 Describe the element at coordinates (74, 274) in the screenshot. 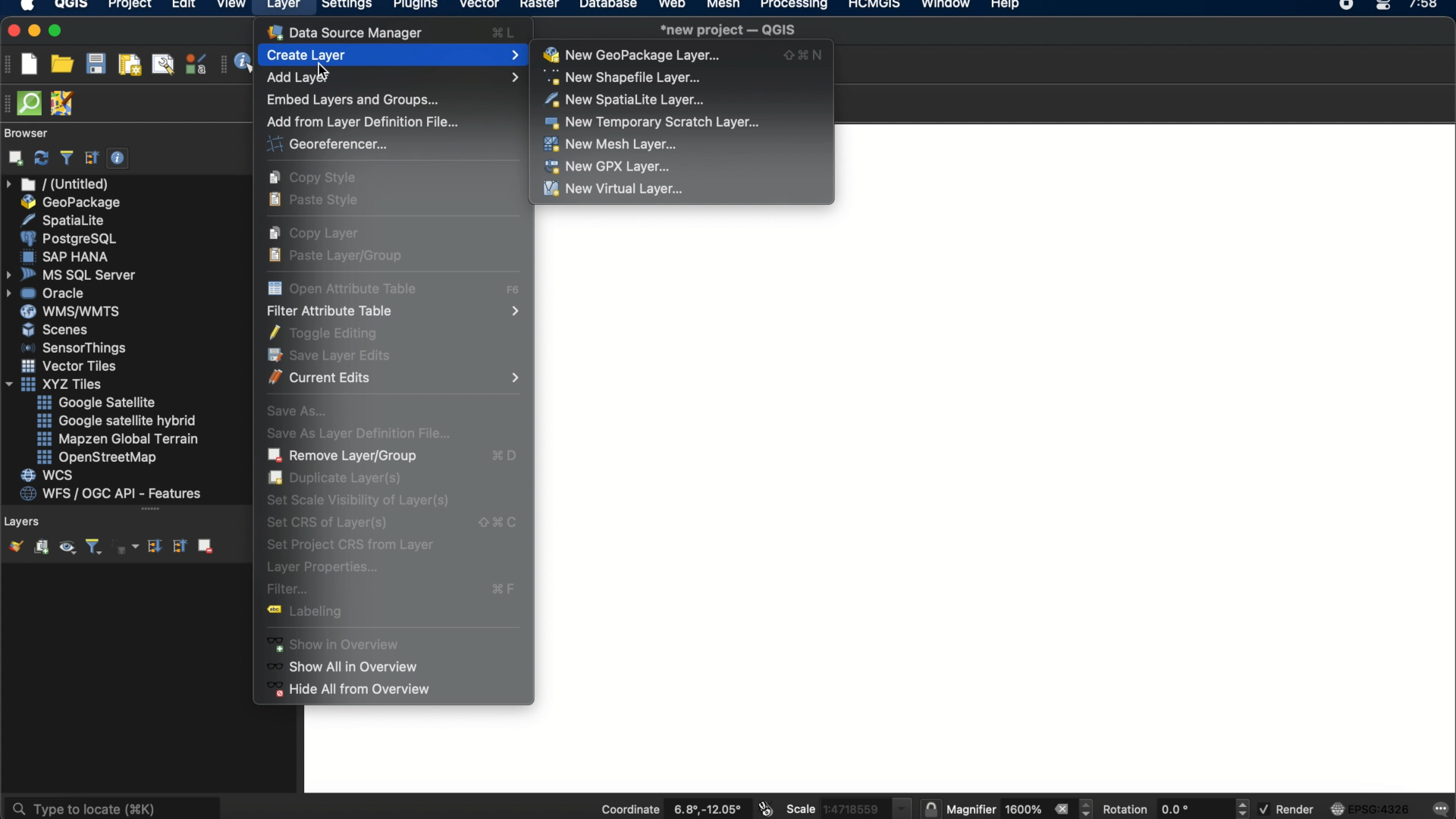

I see `ms sql server` at that location.